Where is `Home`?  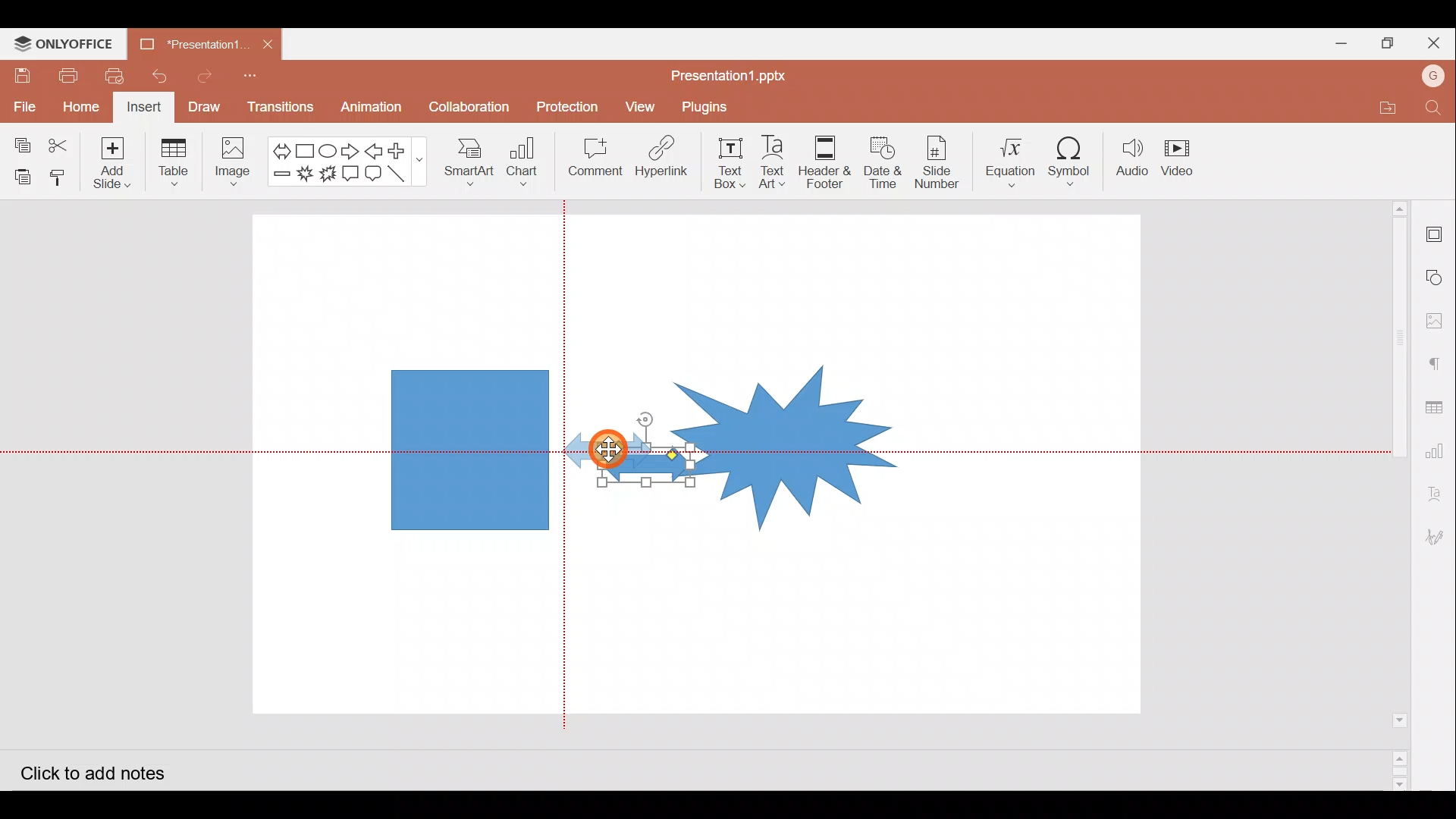 Home is located at coordinates (80, 108).